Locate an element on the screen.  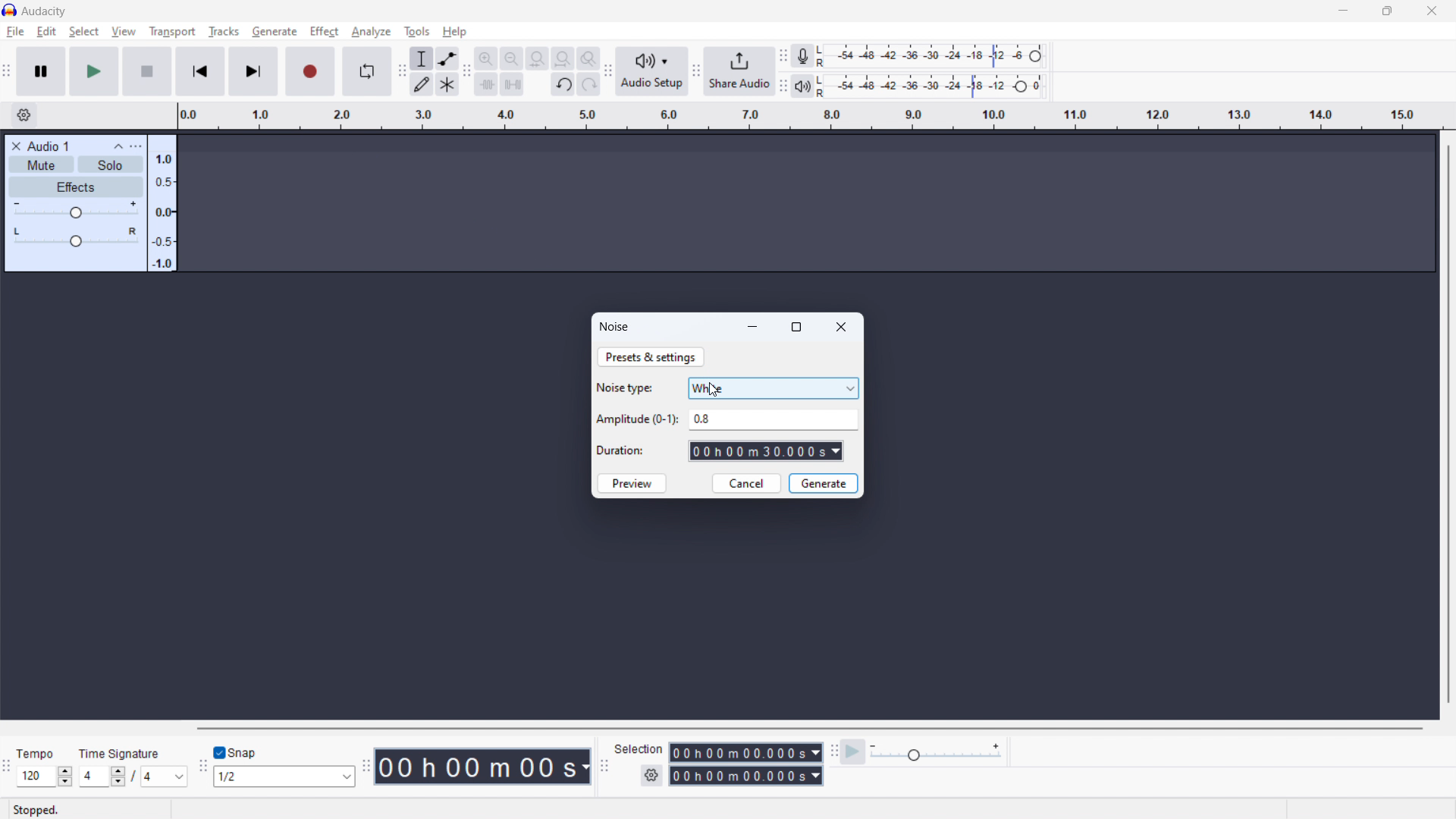
skip to start is located at coordinates (200, 71).